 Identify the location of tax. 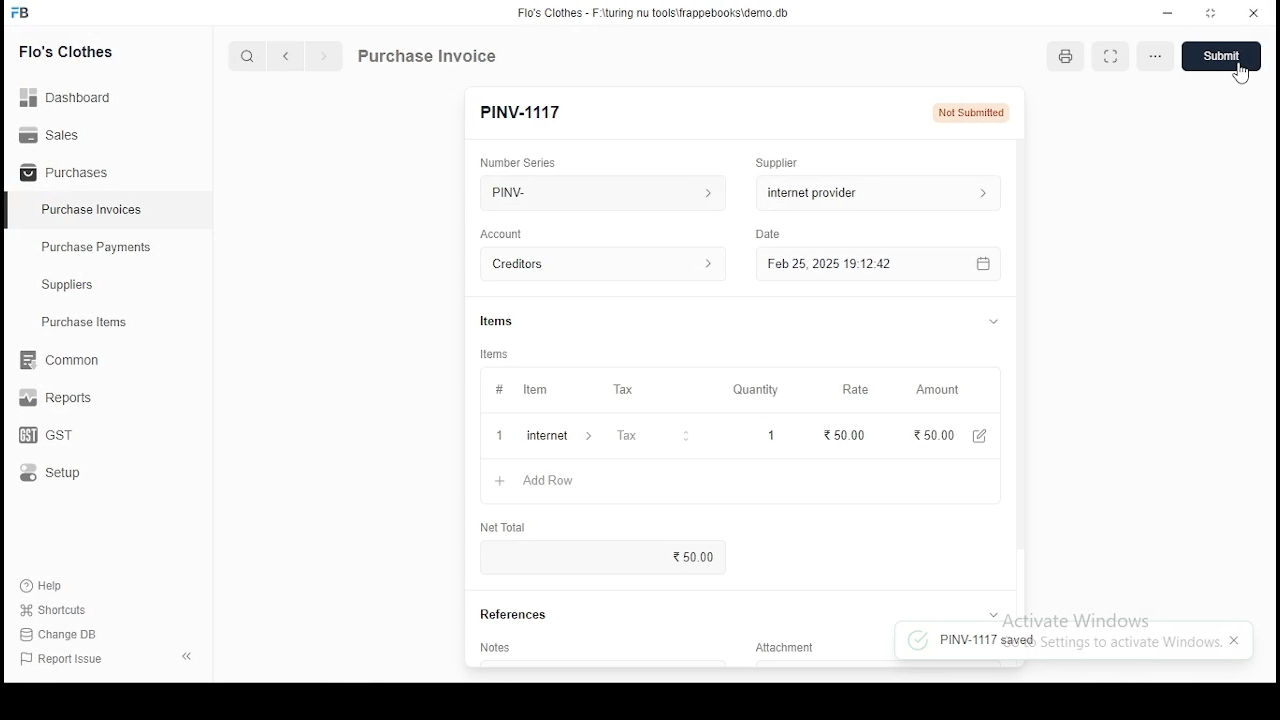
(627, 438).